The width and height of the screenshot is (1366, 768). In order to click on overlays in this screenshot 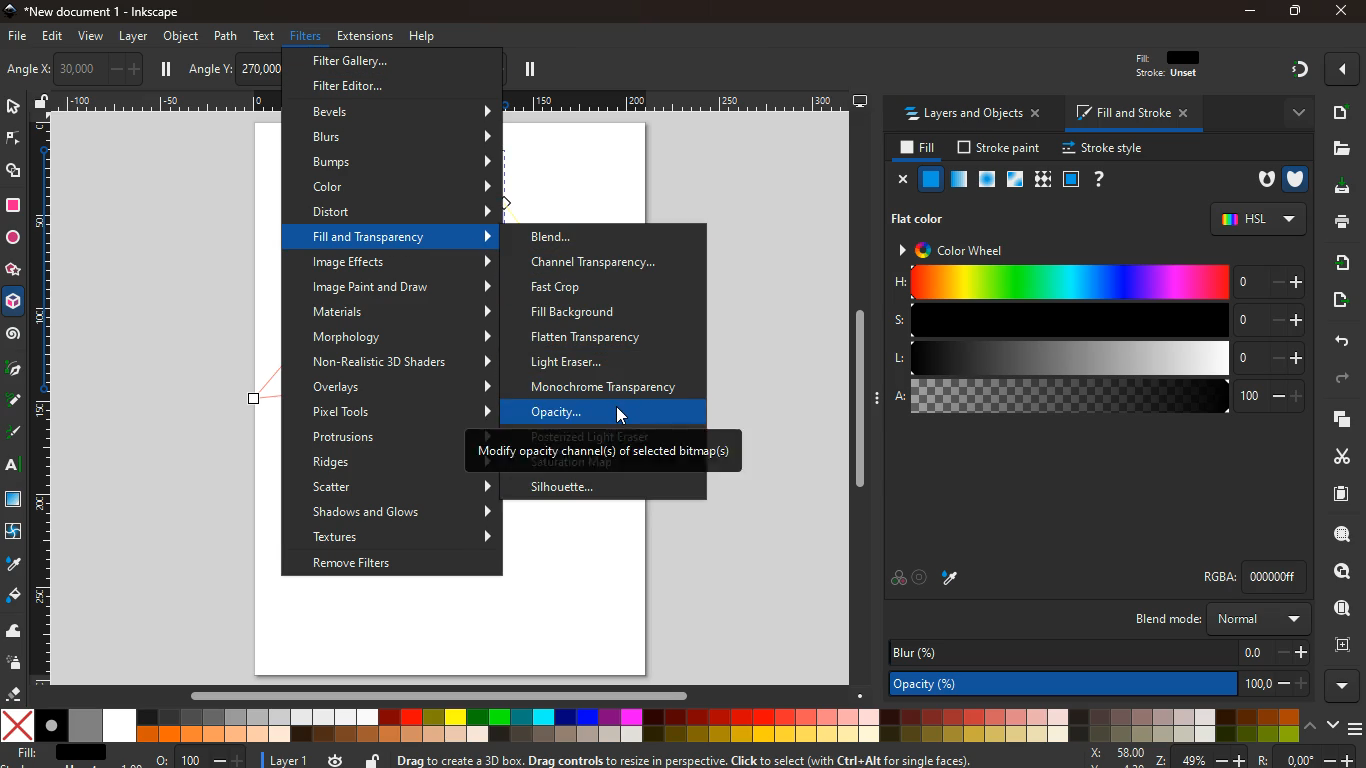, I will do `click(400, 387)`.